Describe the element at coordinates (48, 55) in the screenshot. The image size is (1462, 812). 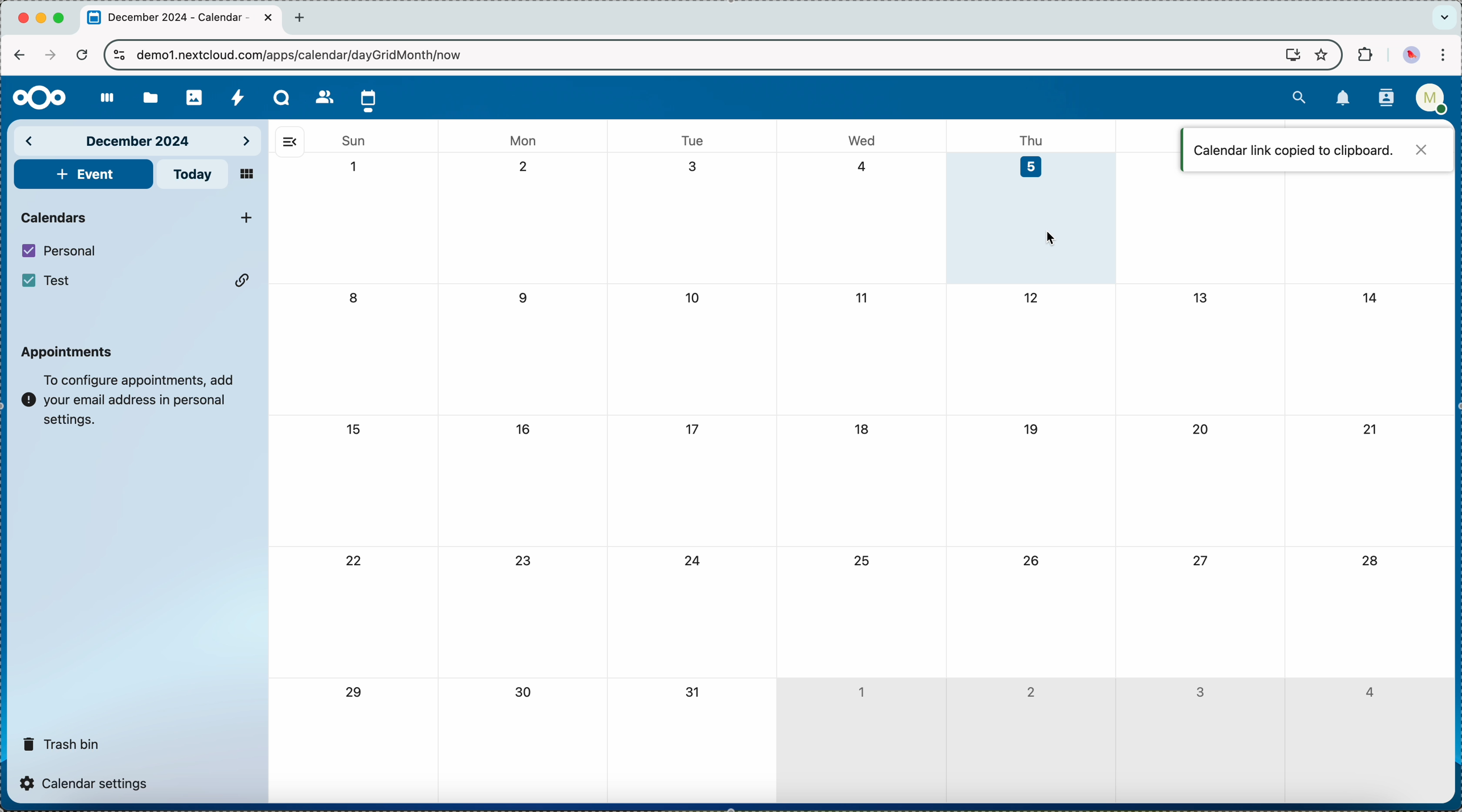
I see `navigate foward` at that location.